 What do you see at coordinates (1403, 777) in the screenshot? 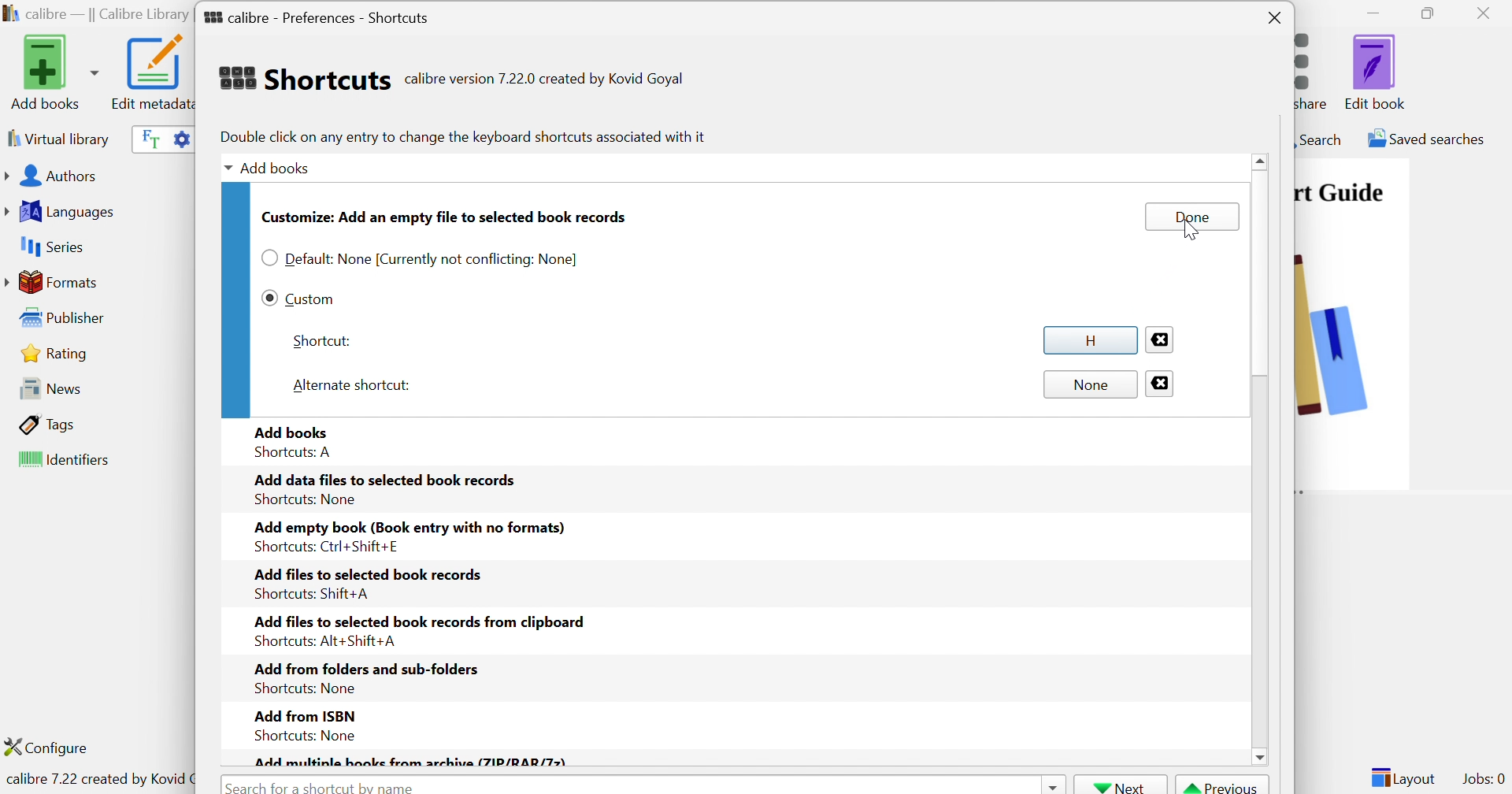
I see `Layout:0` at bounding box center [1403, 777].